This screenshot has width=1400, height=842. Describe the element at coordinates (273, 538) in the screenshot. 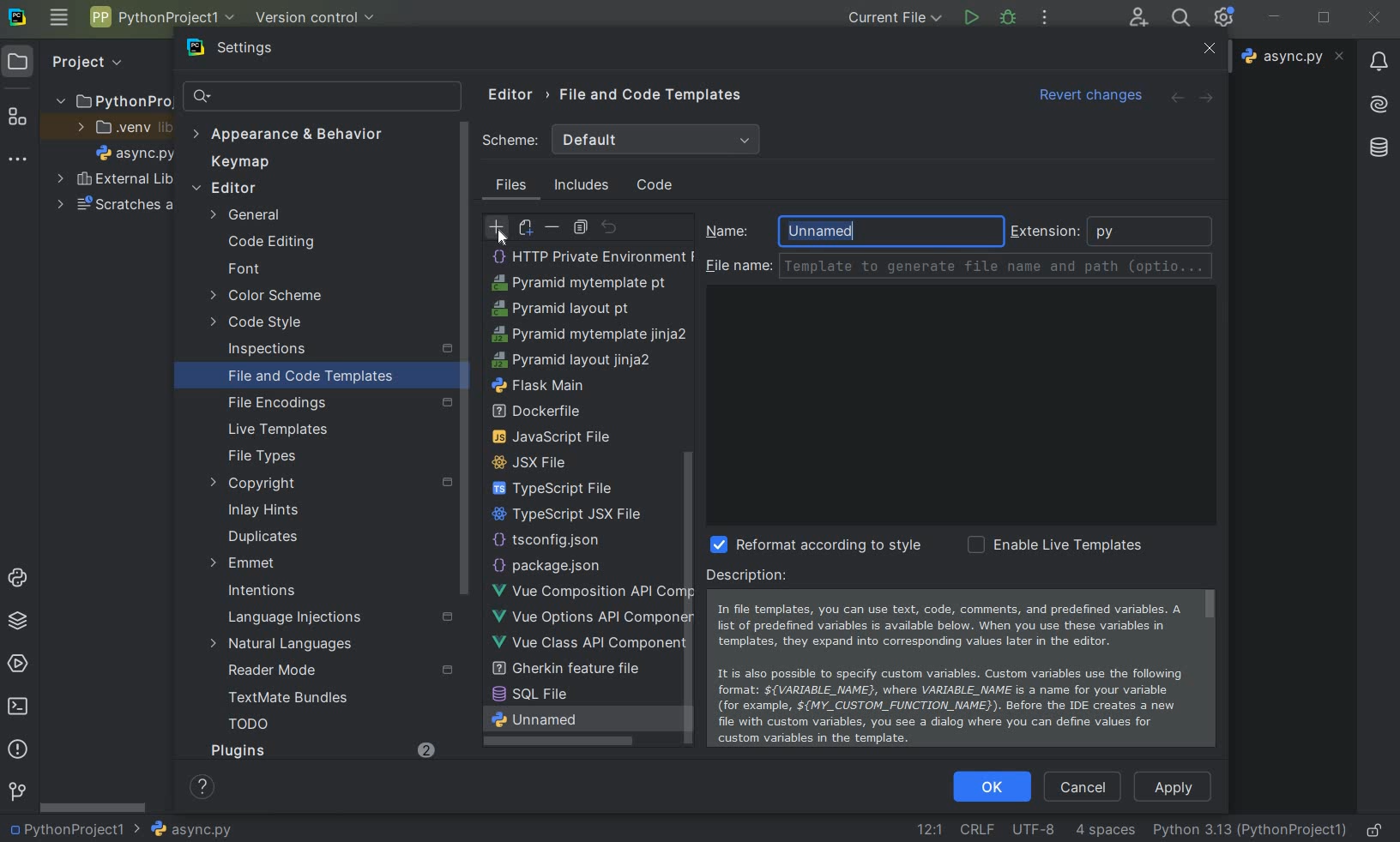

I see `duplicates` at that location.